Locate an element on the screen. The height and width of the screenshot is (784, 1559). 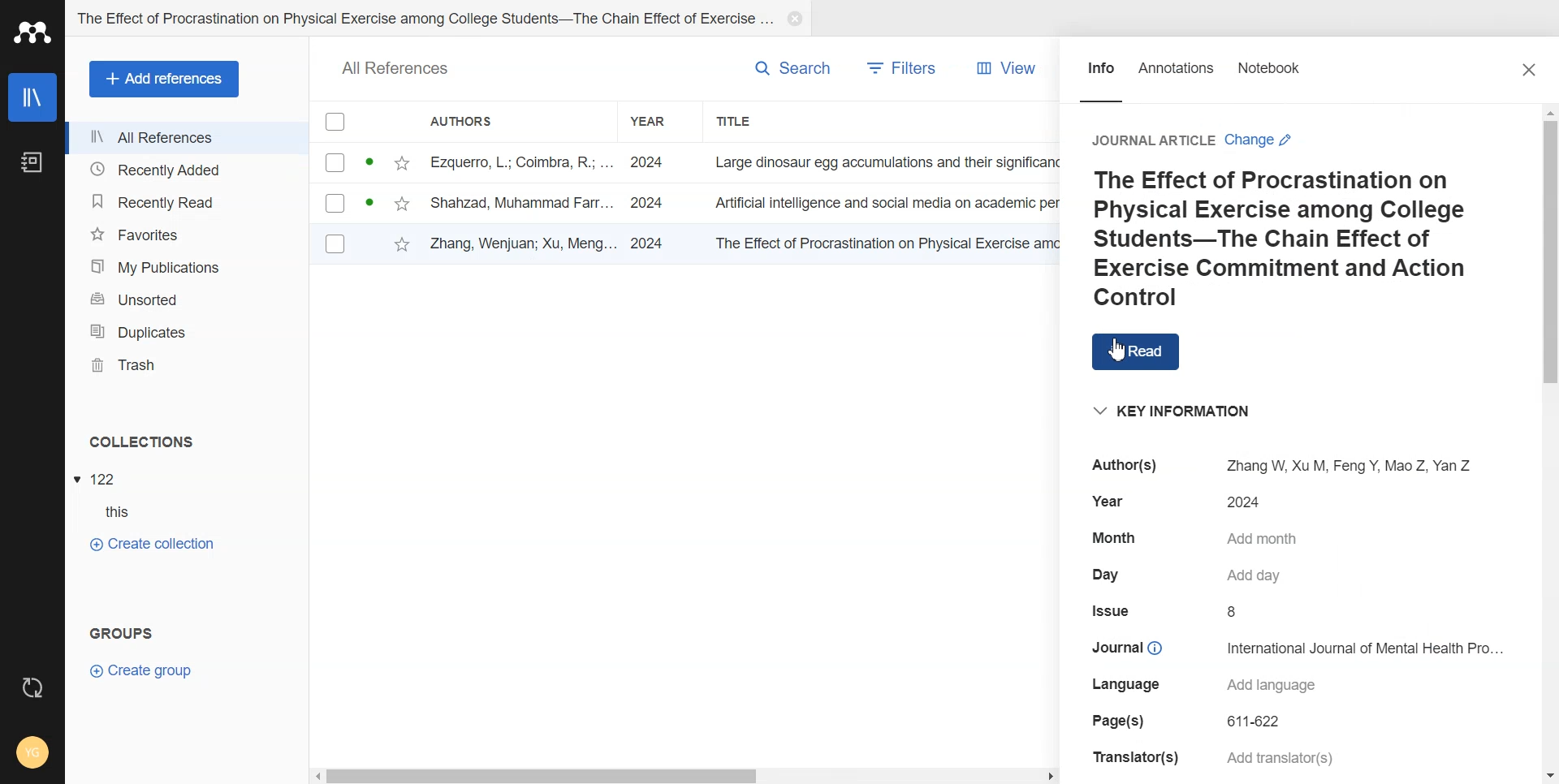
Checkbox is located at coordinates (336, 203).